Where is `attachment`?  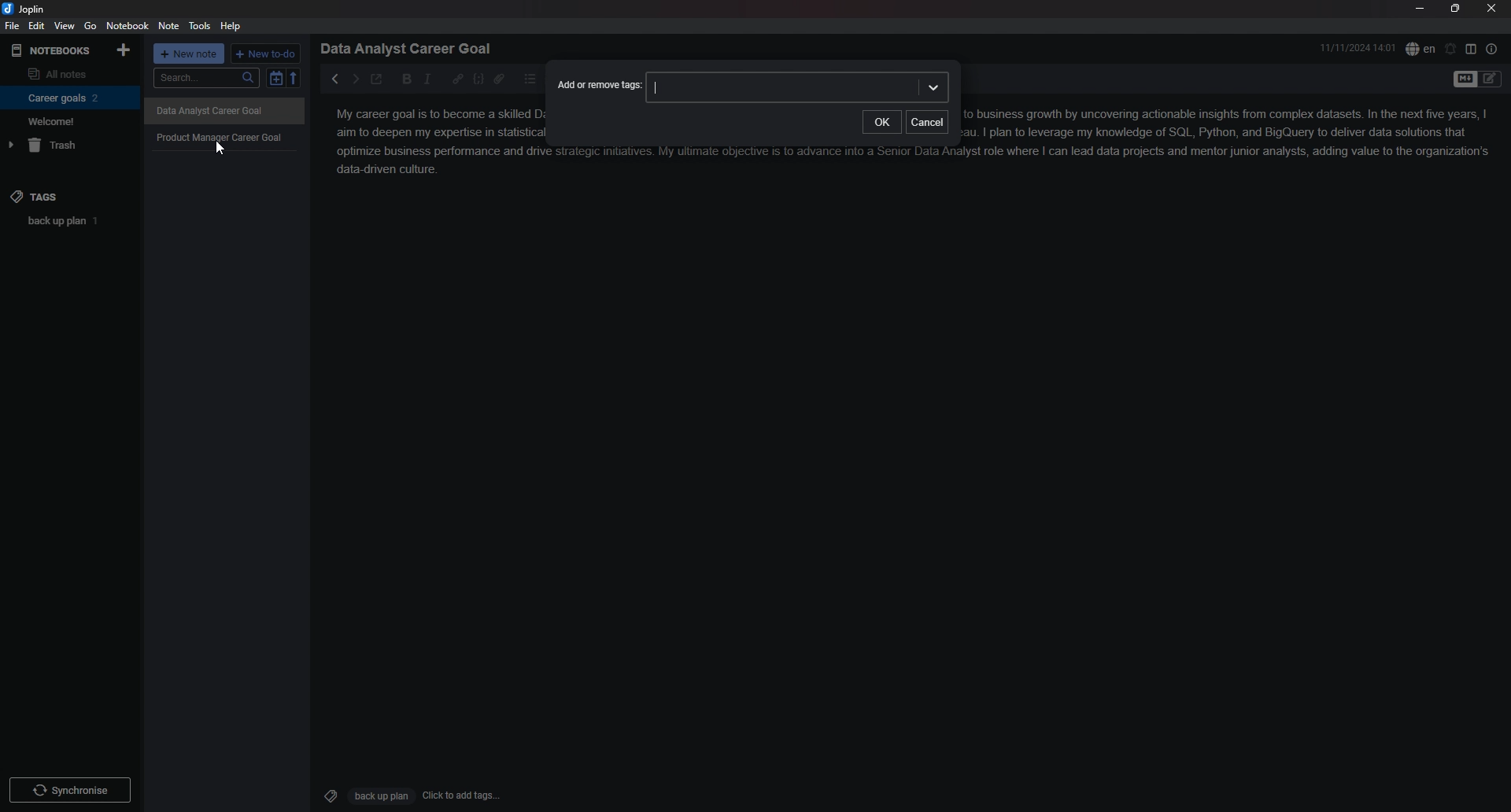
attachment is located at coordinates (499, 79).